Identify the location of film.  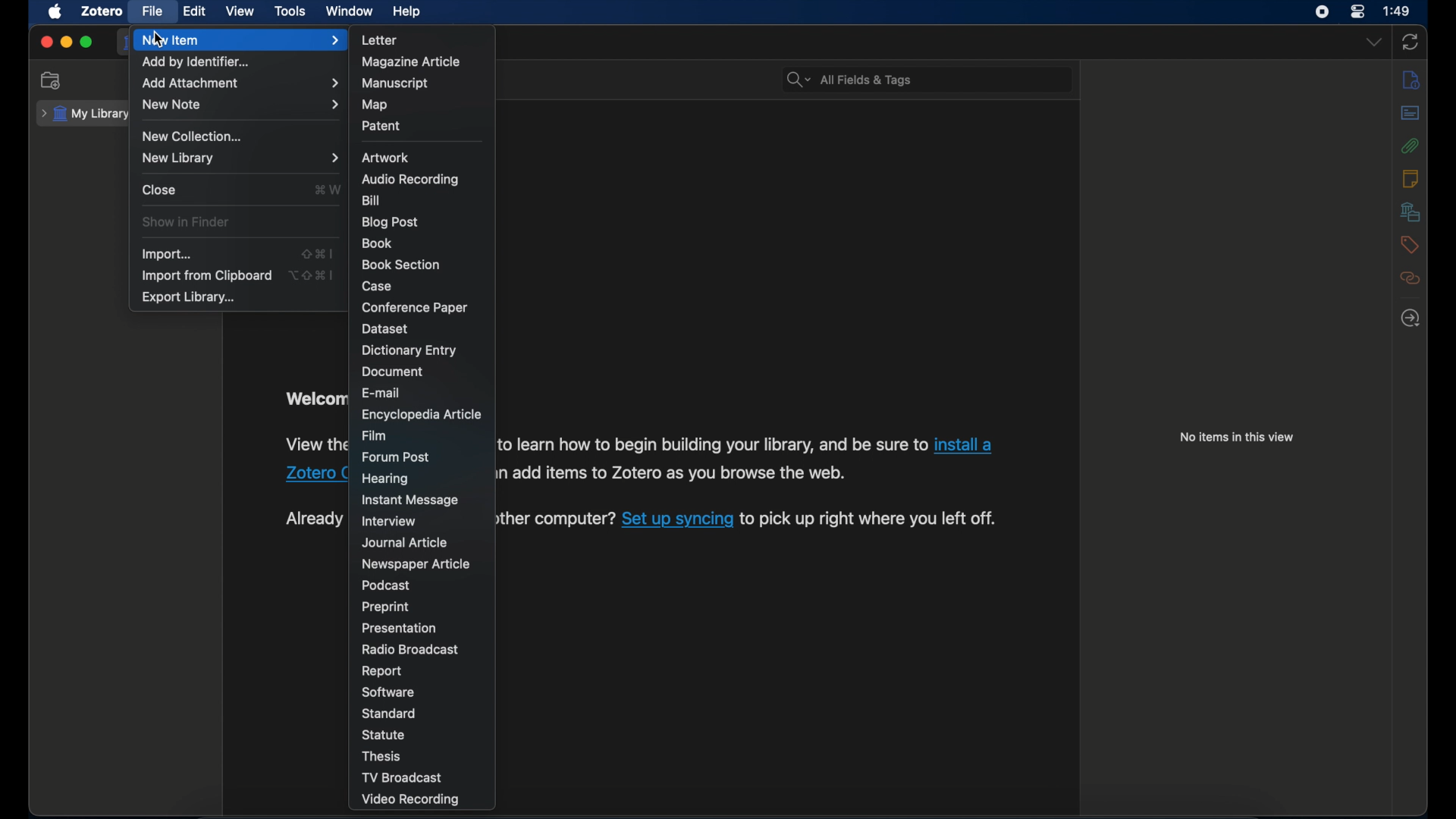
(375, 435).